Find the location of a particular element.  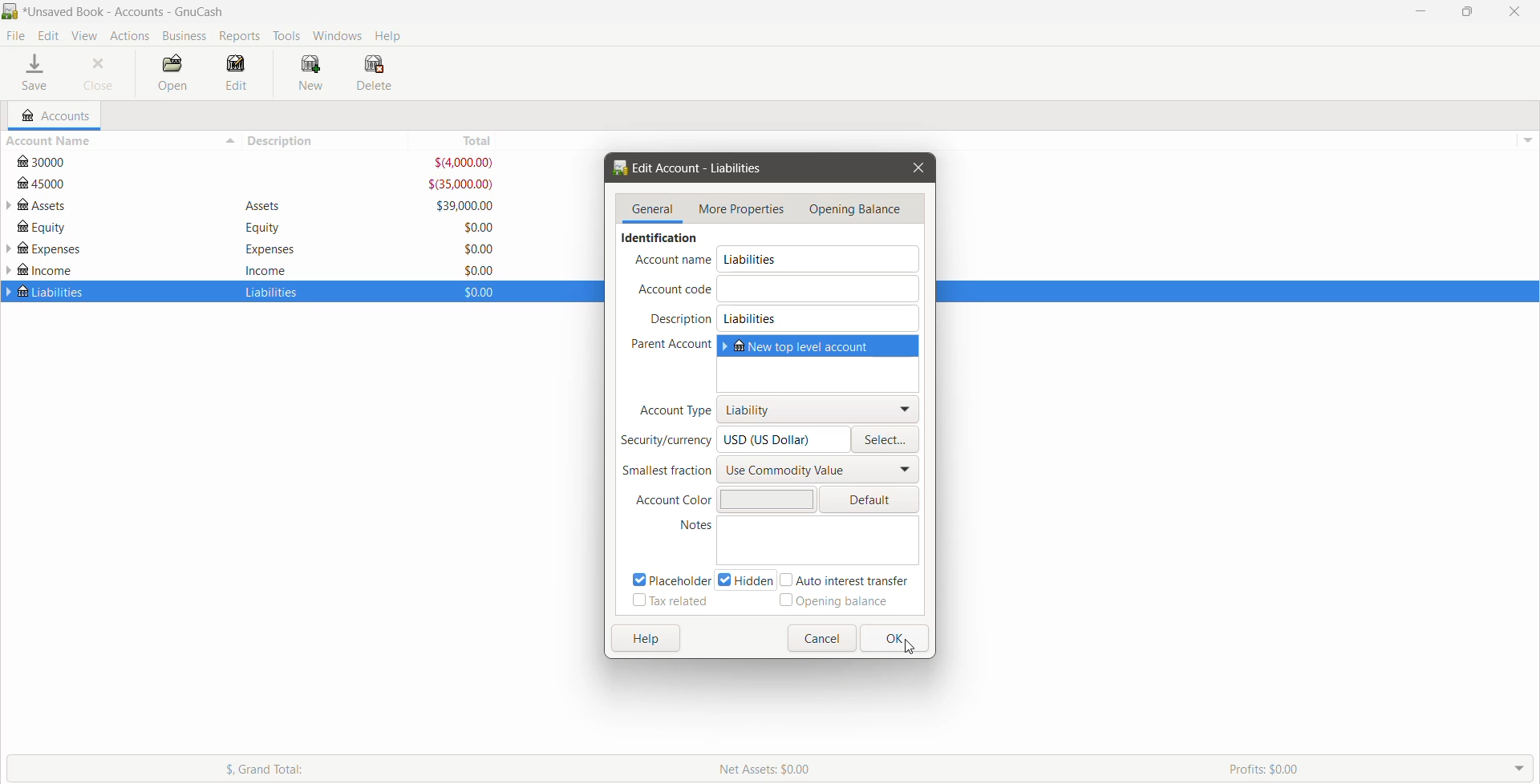

 is located at coordinates (663, 238).